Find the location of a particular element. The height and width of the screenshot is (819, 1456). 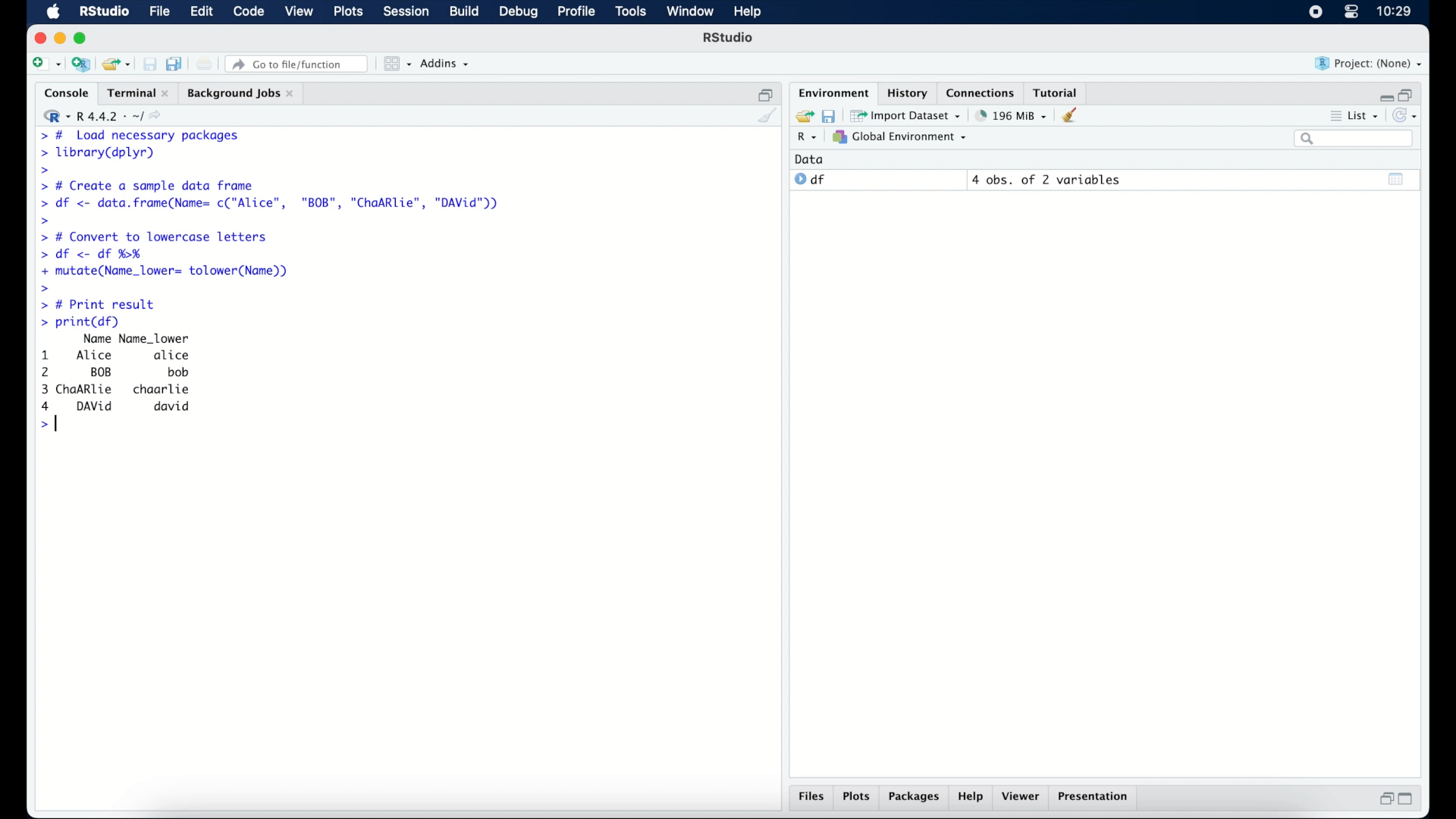

restore down is located at coordinates (1409, 93).